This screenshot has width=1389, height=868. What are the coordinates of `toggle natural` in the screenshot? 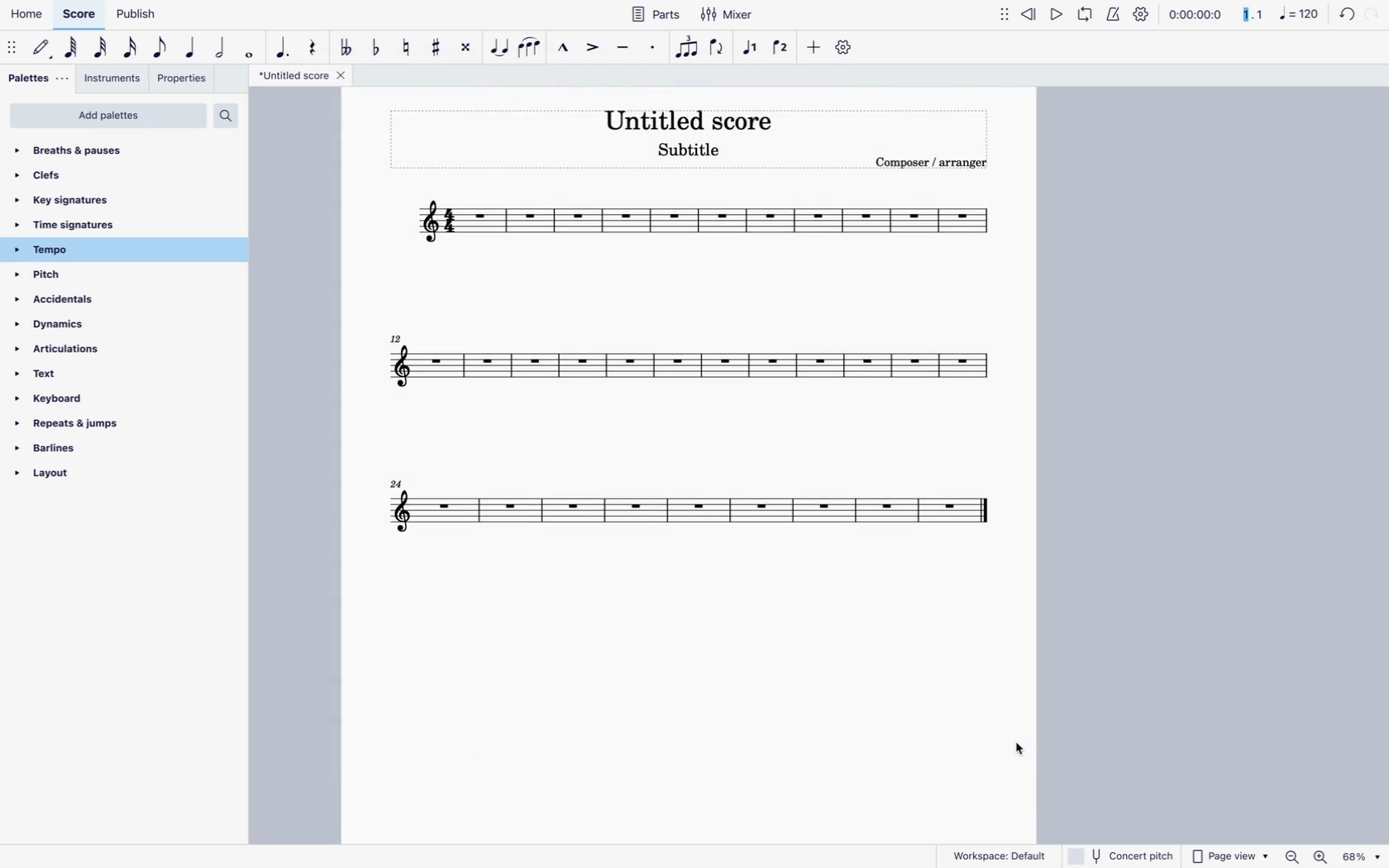 It's located at (407, 50).